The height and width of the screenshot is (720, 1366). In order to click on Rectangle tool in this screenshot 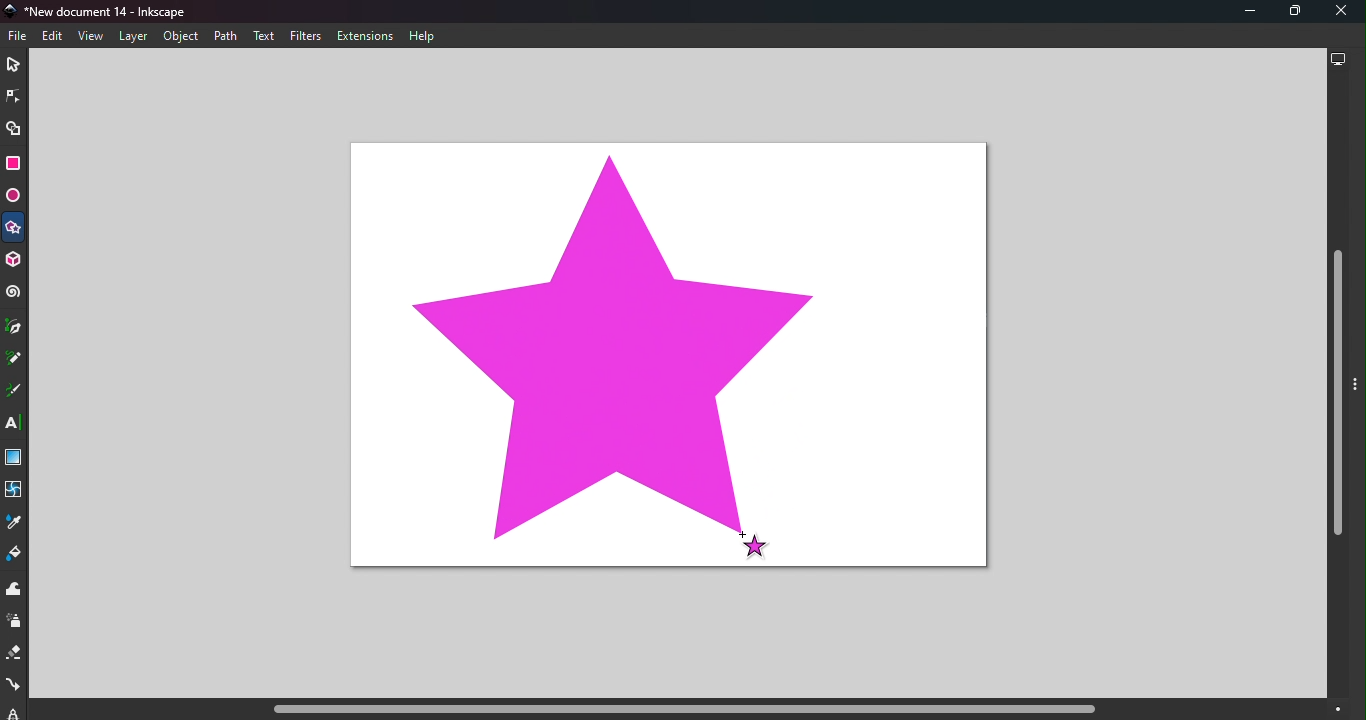, I will do `click(13, 166)`.